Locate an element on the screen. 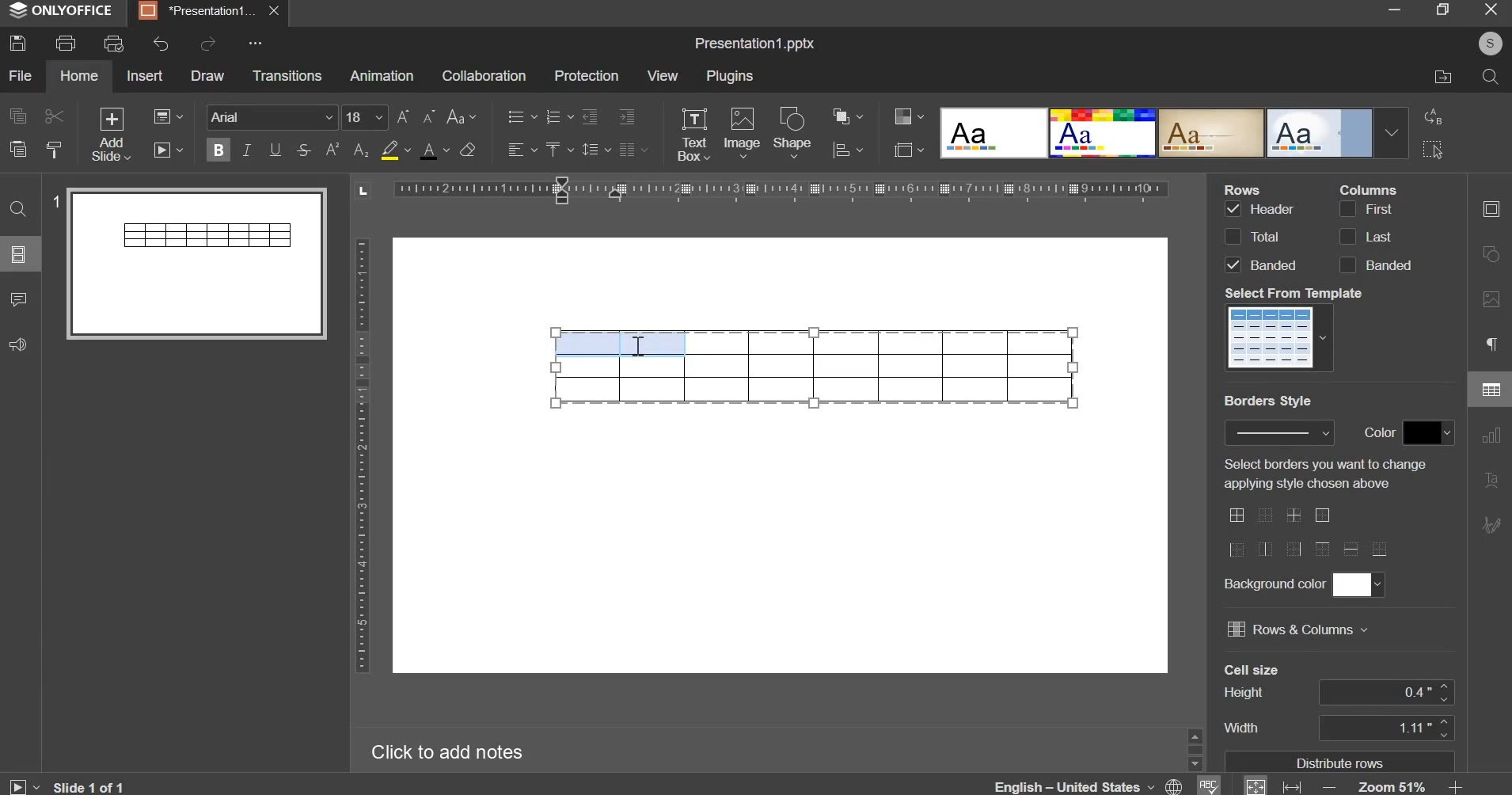  Column is located at coordinates (1368, 188).